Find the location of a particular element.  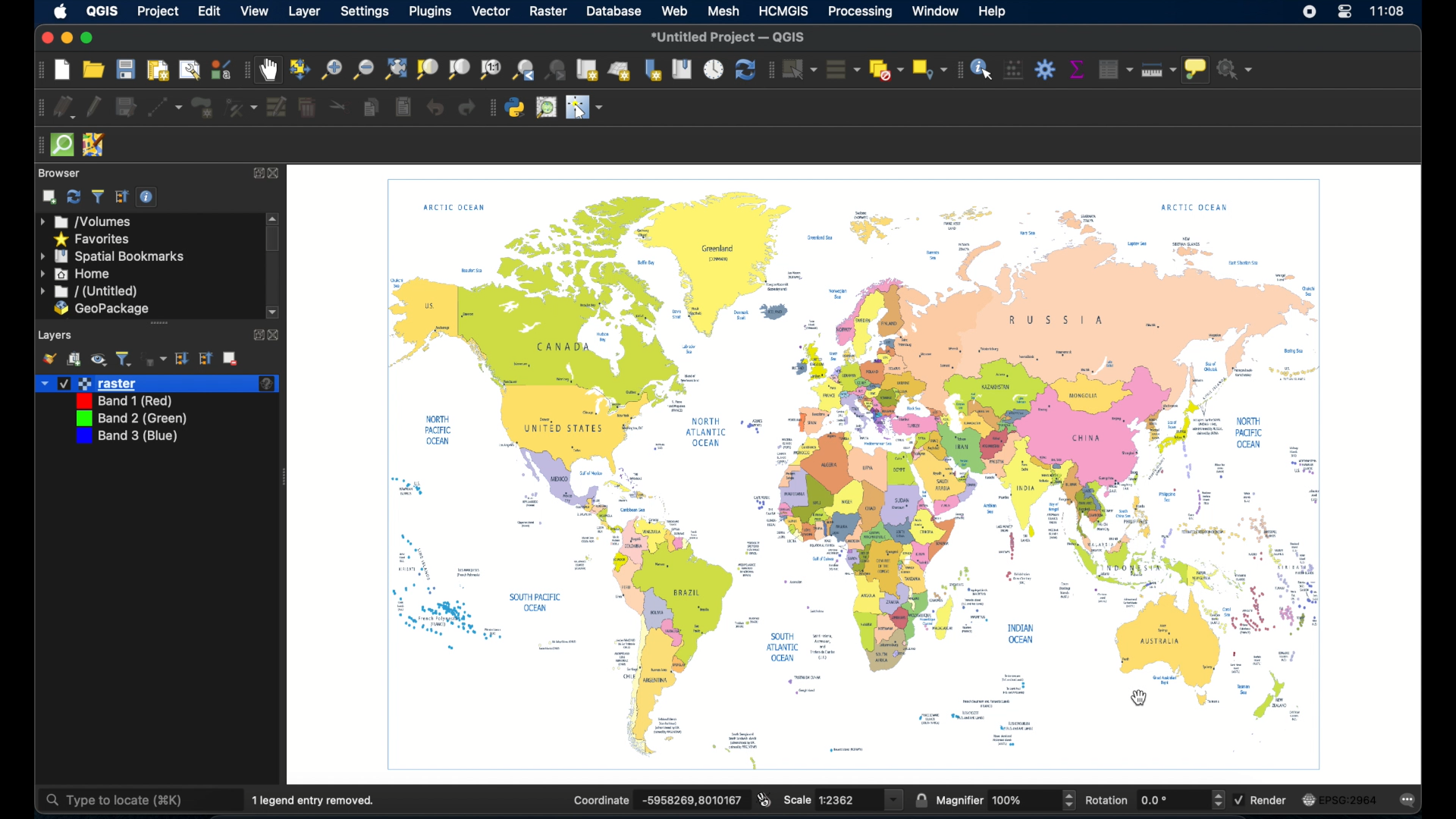

undo is located at coordinates (435, 108).